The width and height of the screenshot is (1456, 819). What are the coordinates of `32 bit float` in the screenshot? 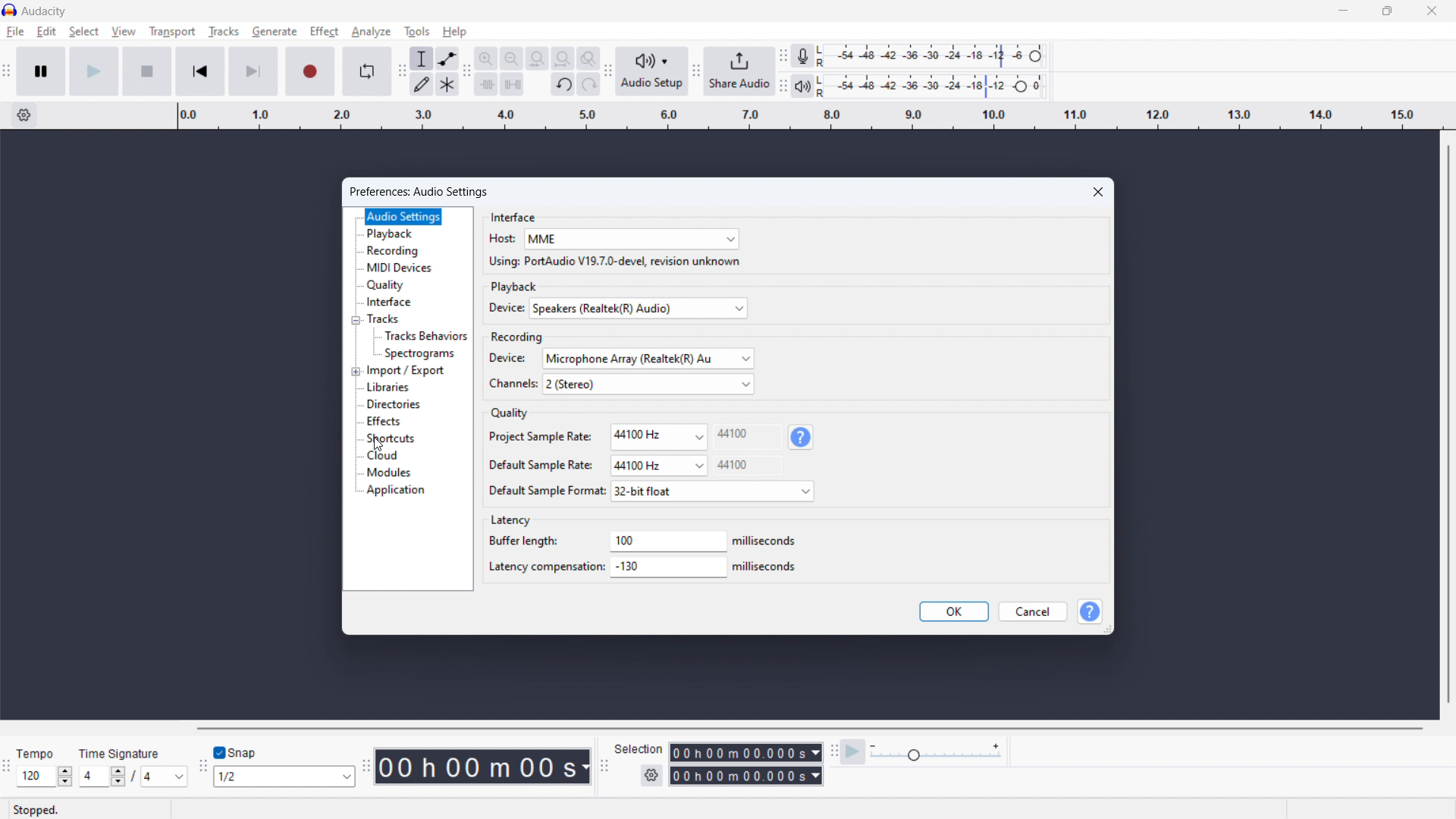 It's located at (713, 491).